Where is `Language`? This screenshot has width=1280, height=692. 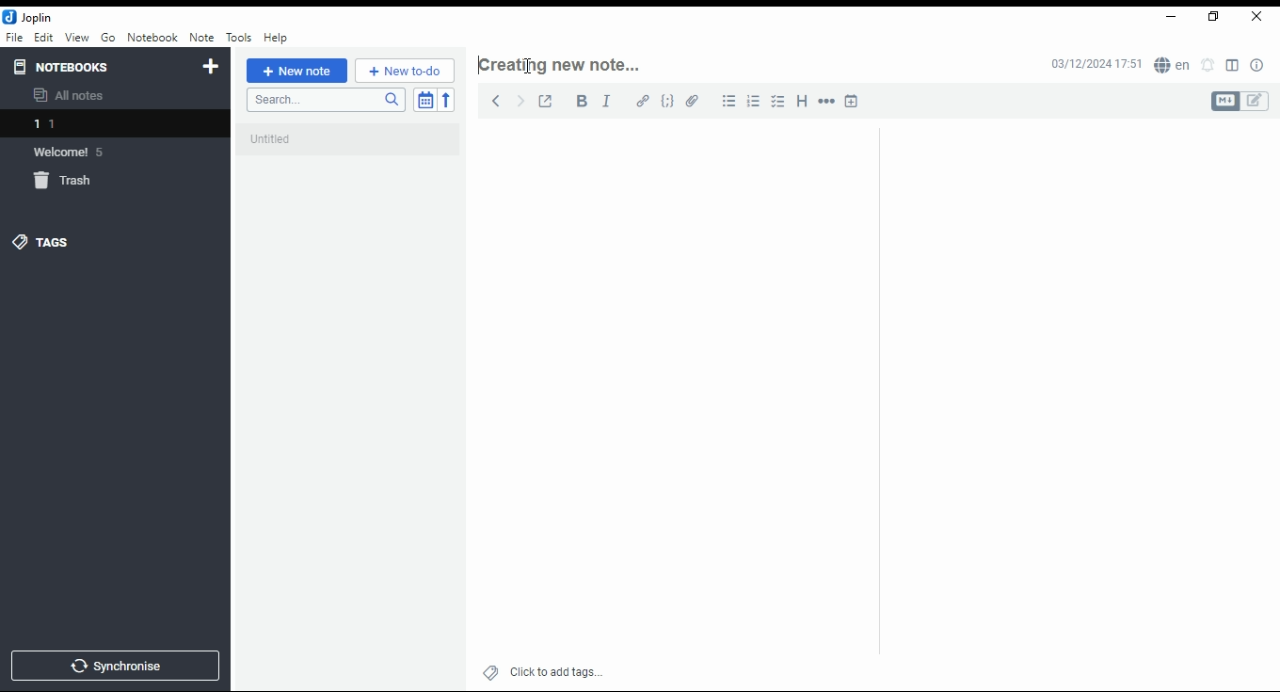
Language is located at coordinates (1172, 63).